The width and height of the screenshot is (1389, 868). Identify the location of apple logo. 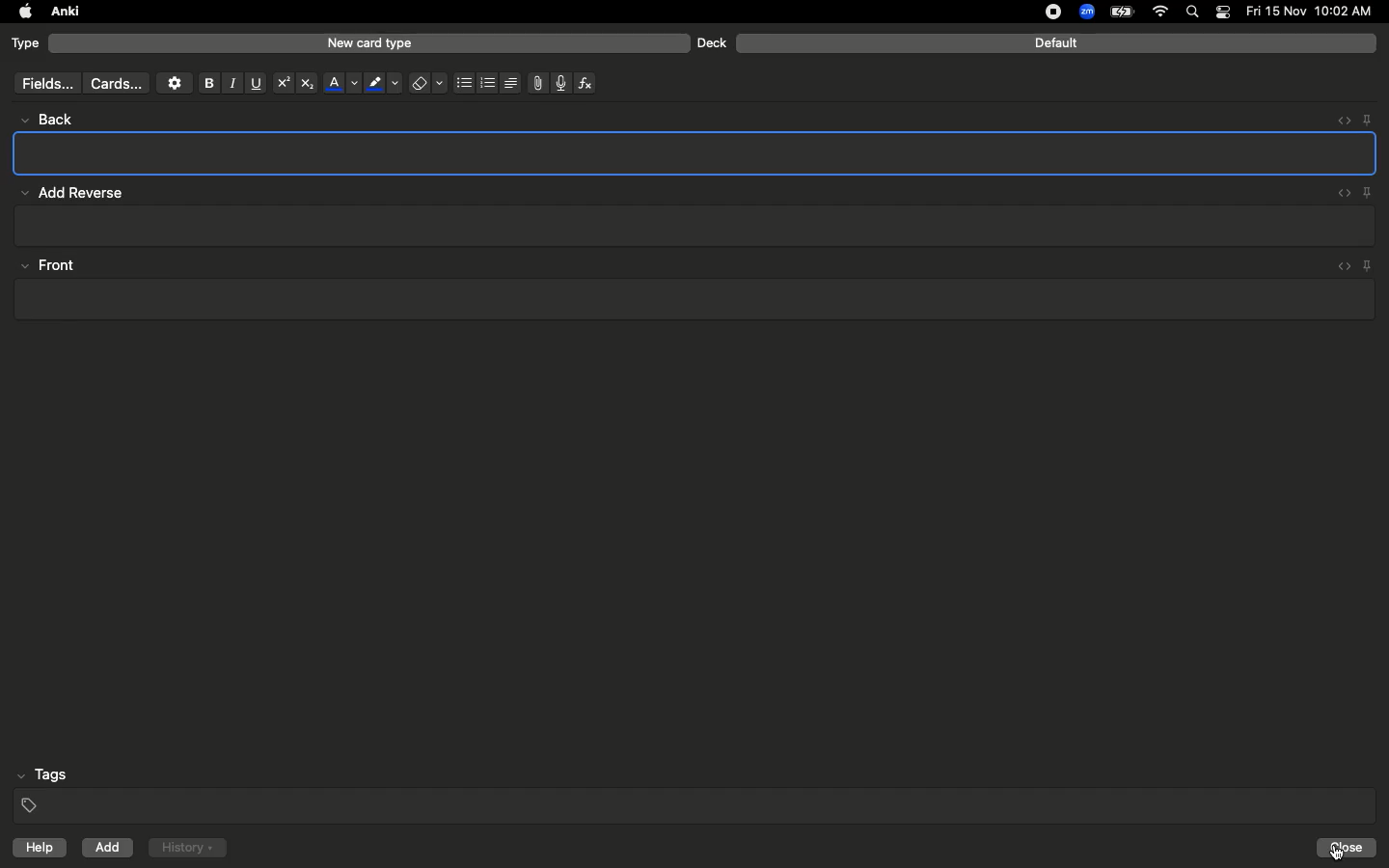
(20, 12).